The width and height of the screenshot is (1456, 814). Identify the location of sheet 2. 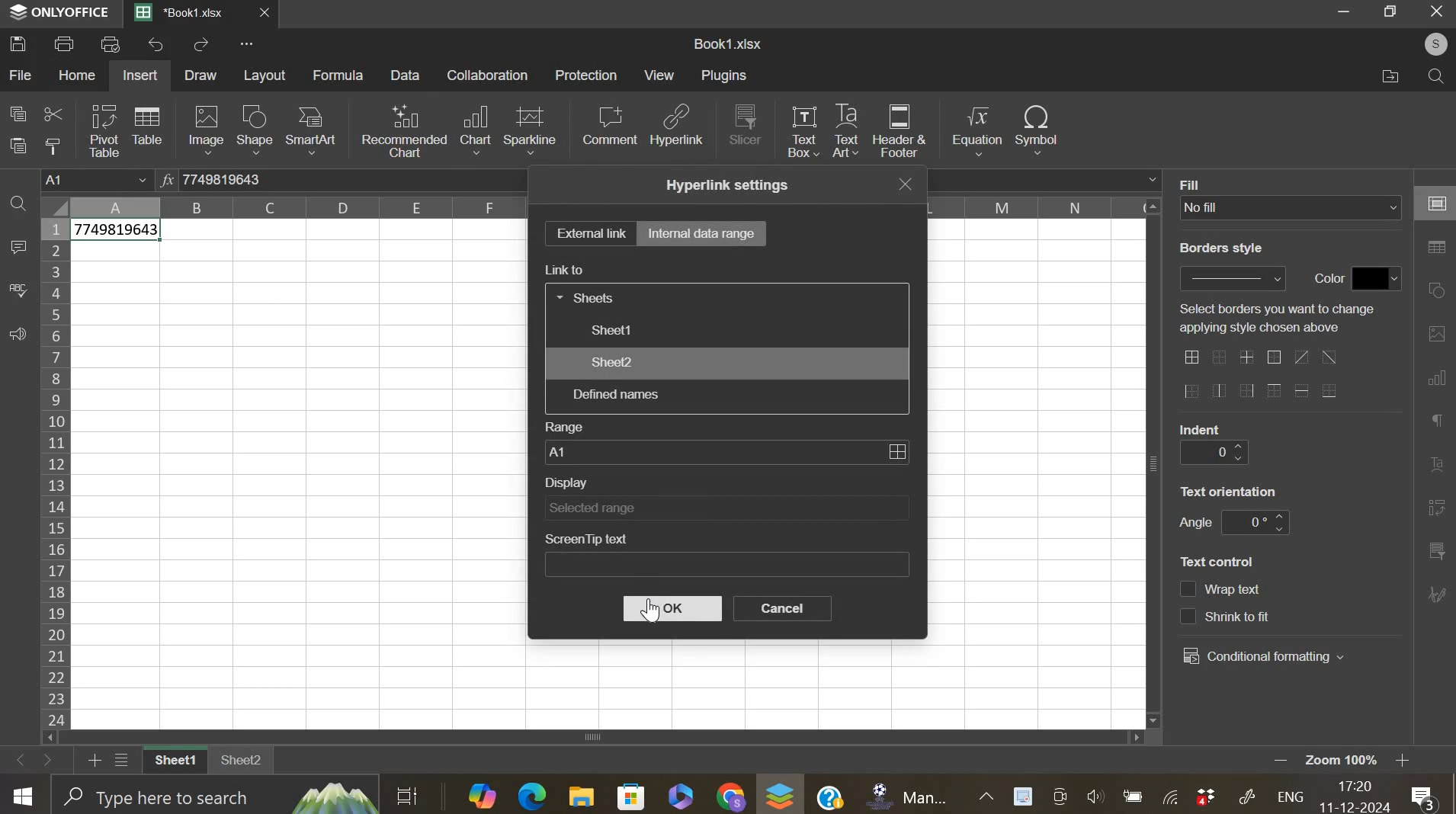
(242, 765).